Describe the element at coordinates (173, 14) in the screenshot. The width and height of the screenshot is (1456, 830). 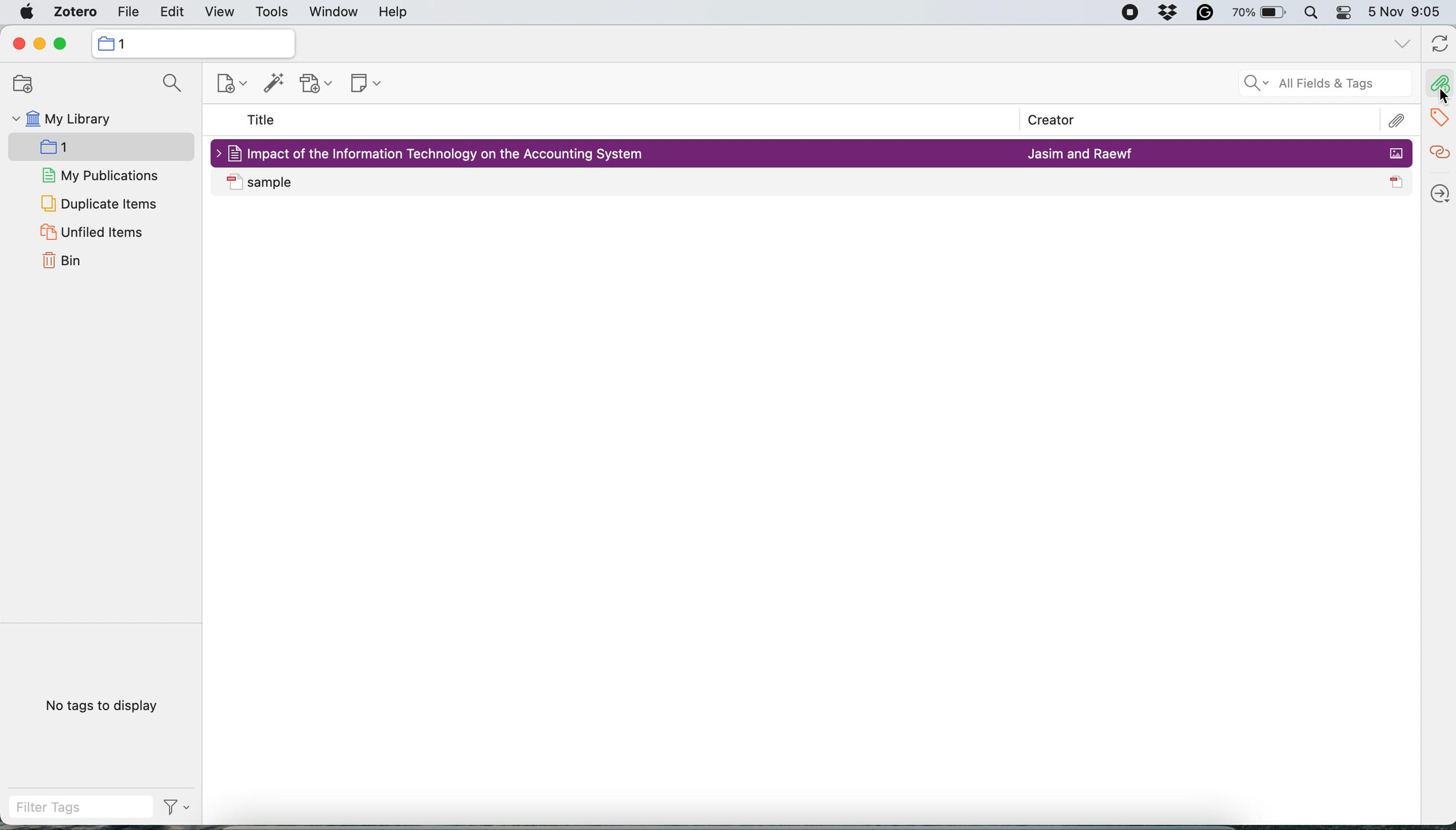
I see `edit` at that location.